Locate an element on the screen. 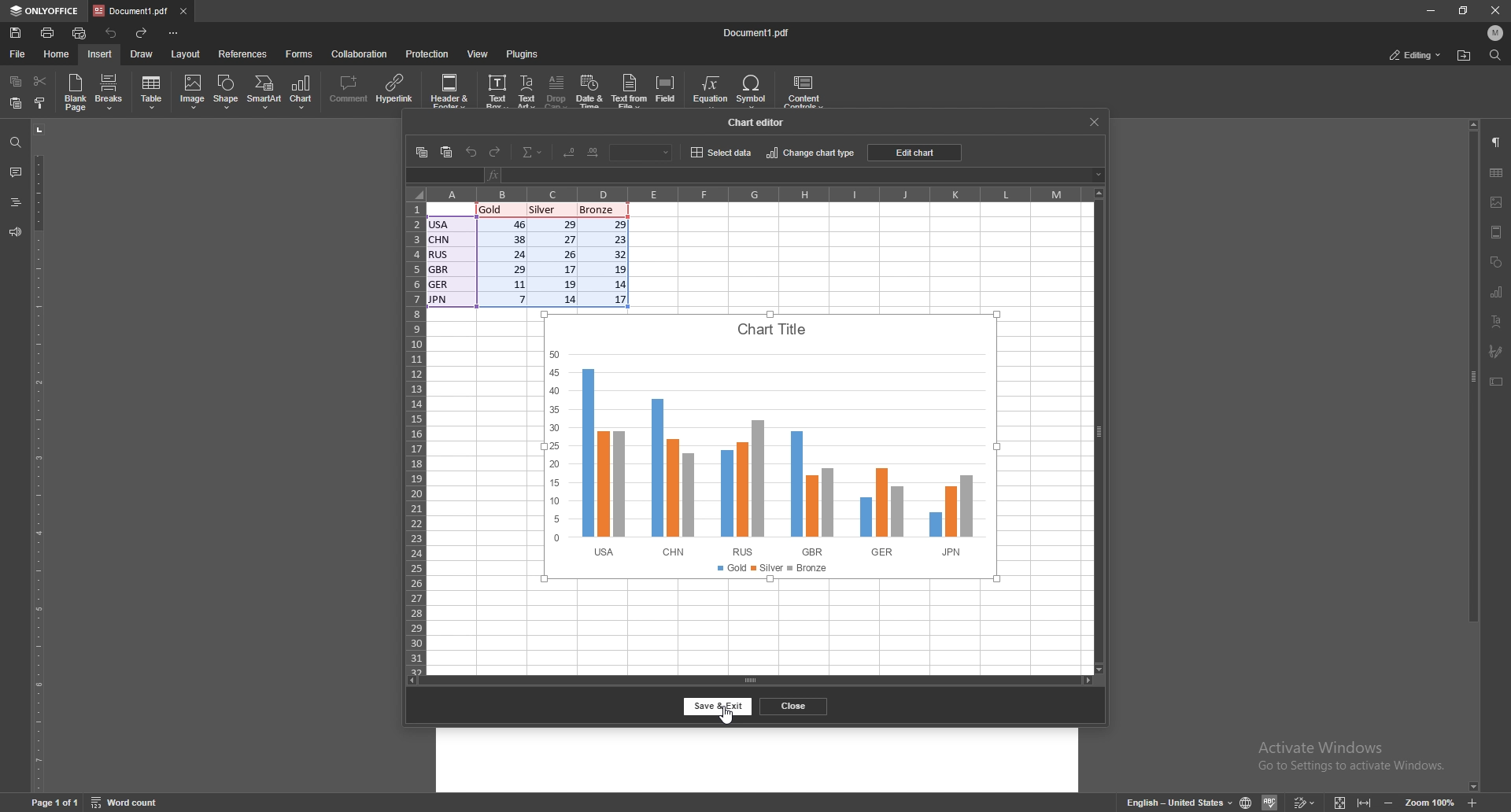 The image size is (1511, 812). 7 is located at coordinates (518, 300).